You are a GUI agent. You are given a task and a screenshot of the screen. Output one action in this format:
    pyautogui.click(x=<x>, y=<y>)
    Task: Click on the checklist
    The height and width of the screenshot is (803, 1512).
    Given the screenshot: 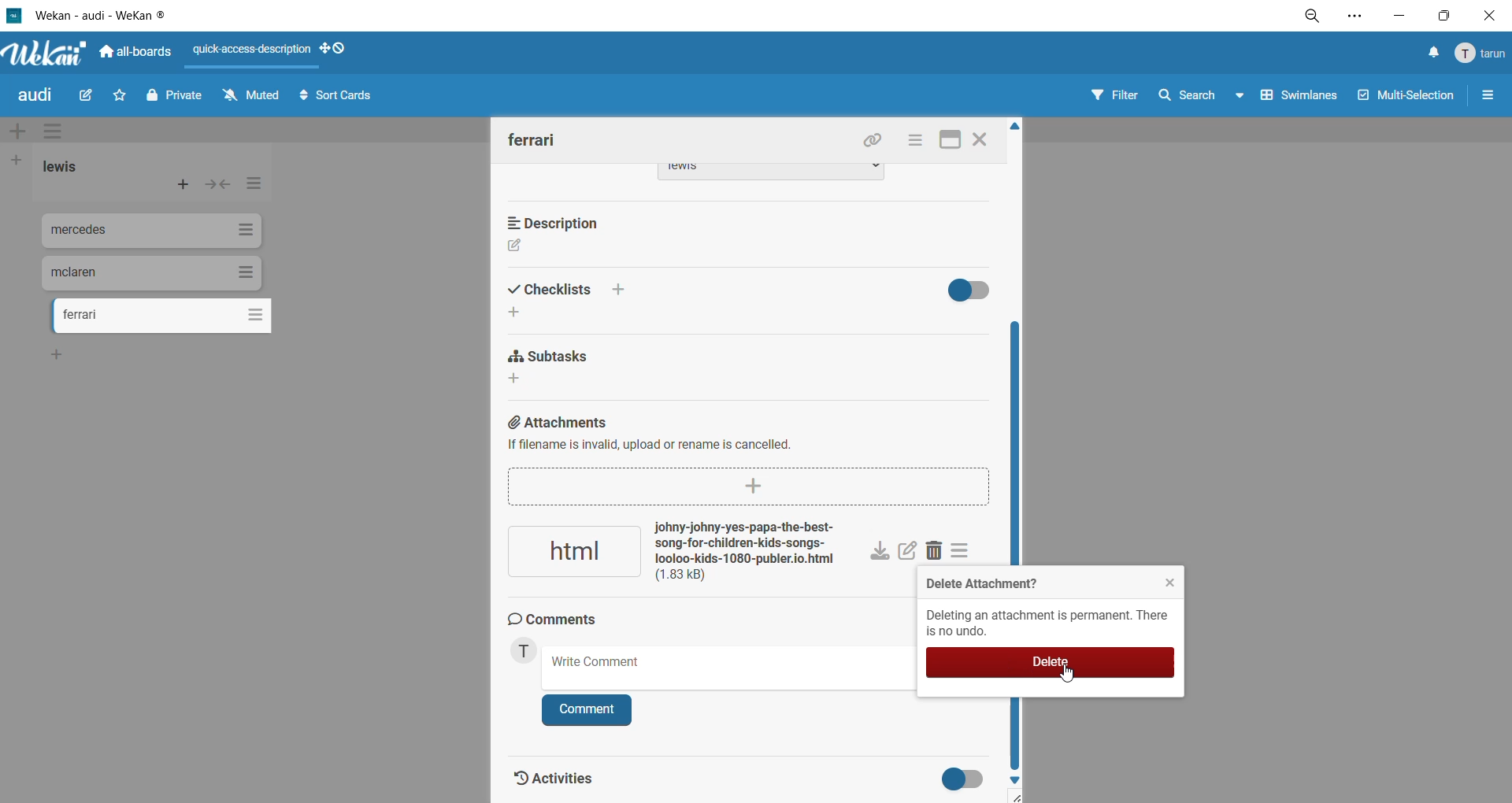 What is the action you would take?
    pyautogui.click(x=577, y=290)
    